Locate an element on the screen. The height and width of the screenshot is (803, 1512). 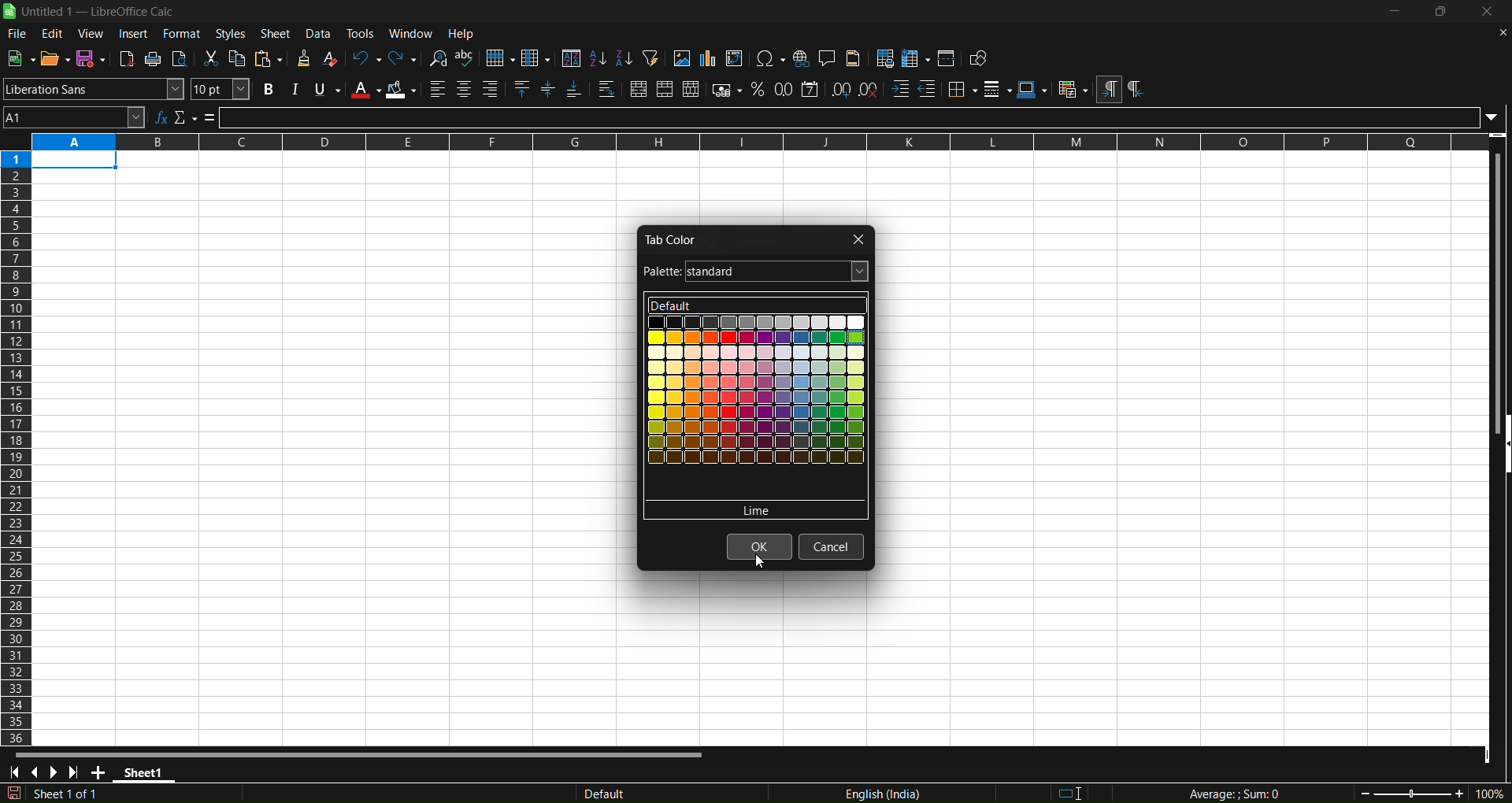
align top is located at coordinates (524, 90).